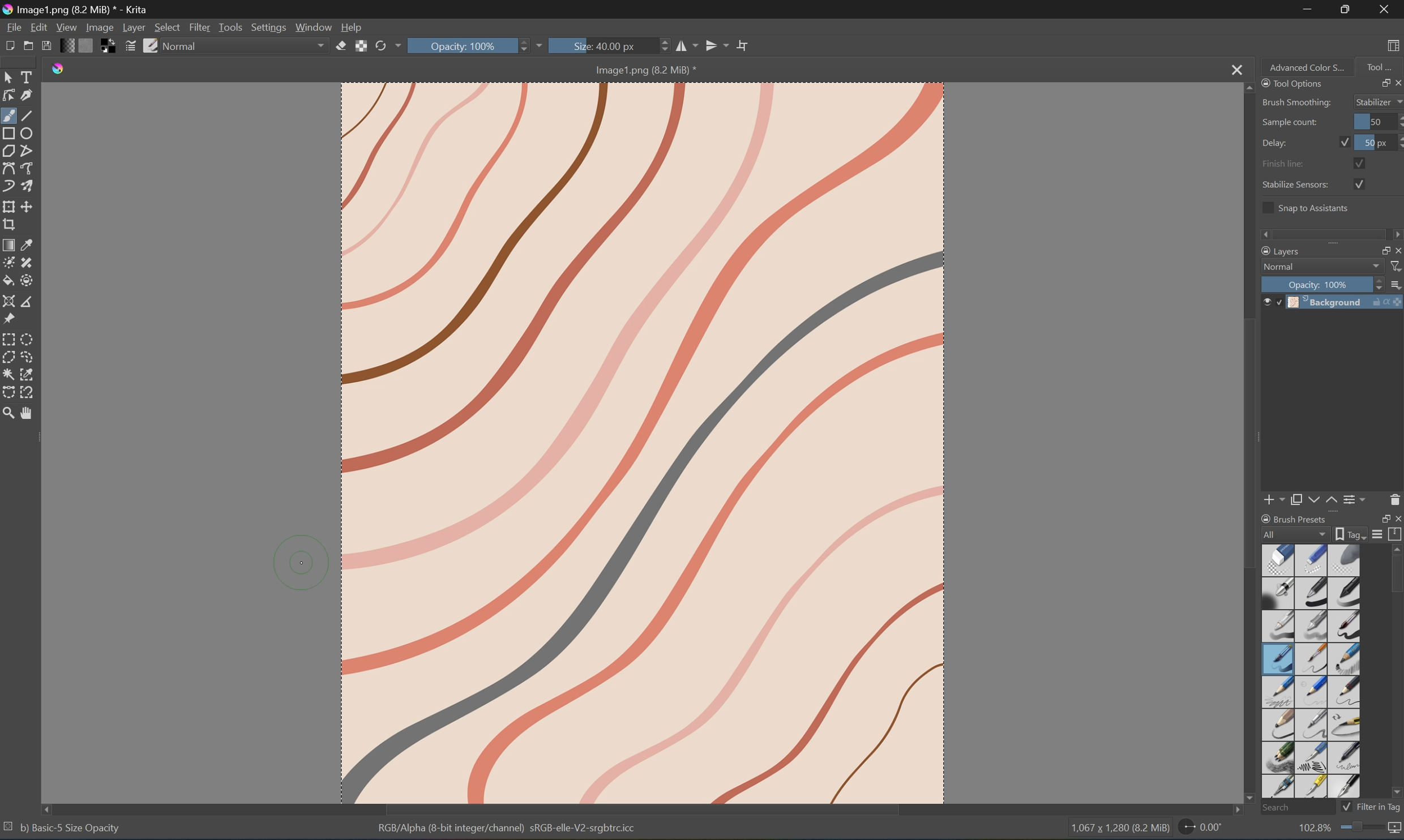  I want to click on Brush Smoothing:, so click(1295, 103).